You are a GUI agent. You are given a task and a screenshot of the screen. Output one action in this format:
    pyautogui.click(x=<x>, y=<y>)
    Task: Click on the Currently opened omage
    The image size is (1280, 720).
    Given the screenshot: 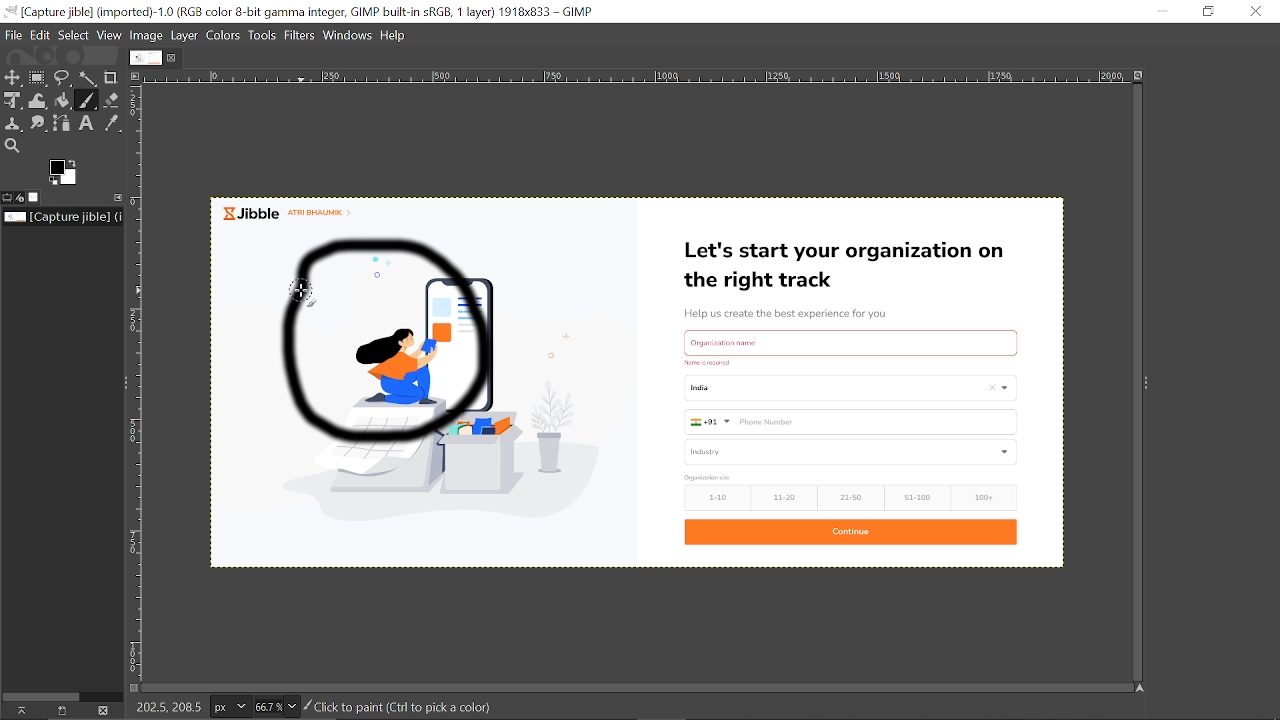 What is the action you would take?
    pyautogui.click(x=788, y=383)
    